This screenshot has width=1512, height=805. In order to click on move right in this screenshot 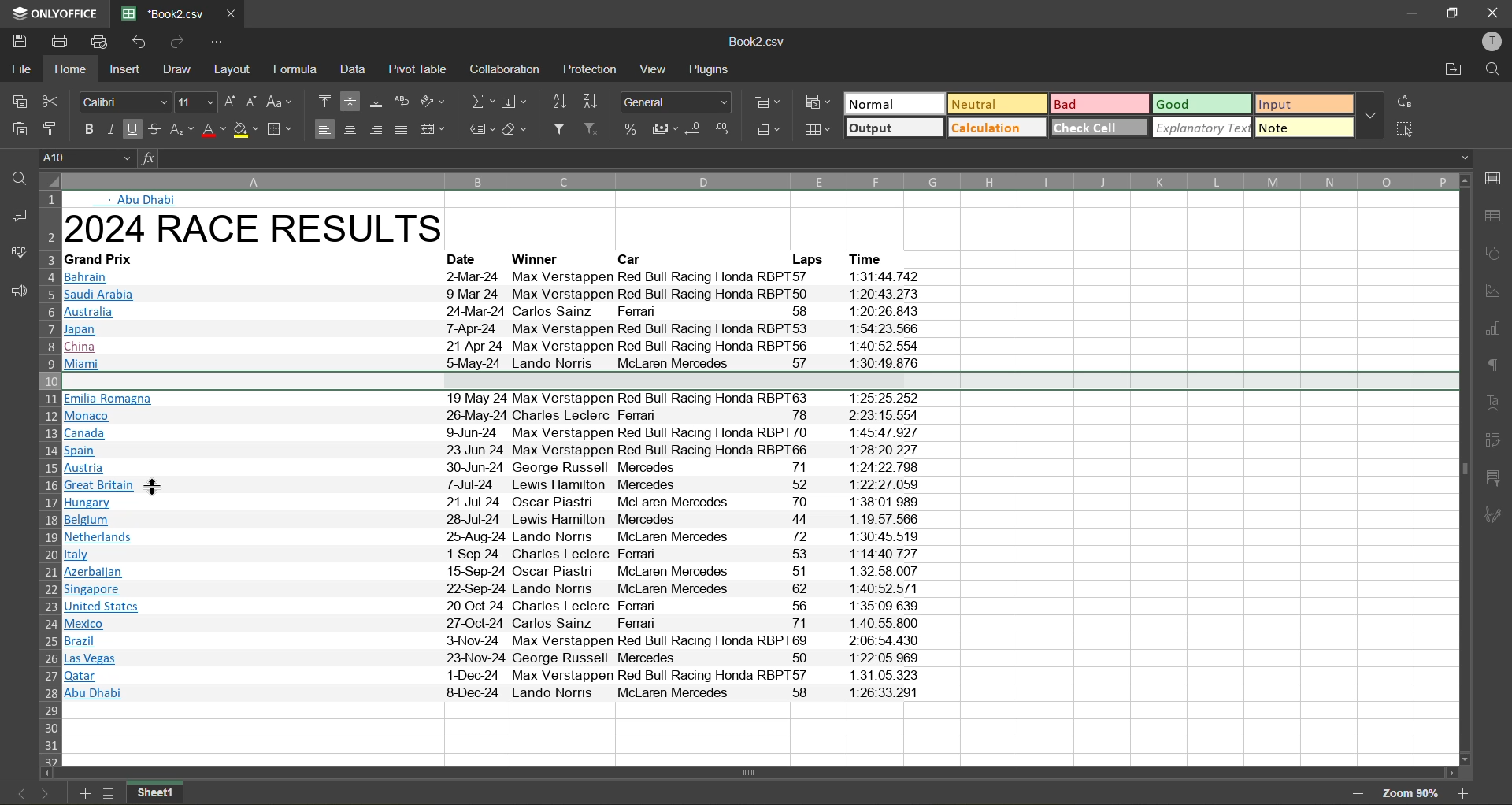, I will do `click(1451, 773)`.